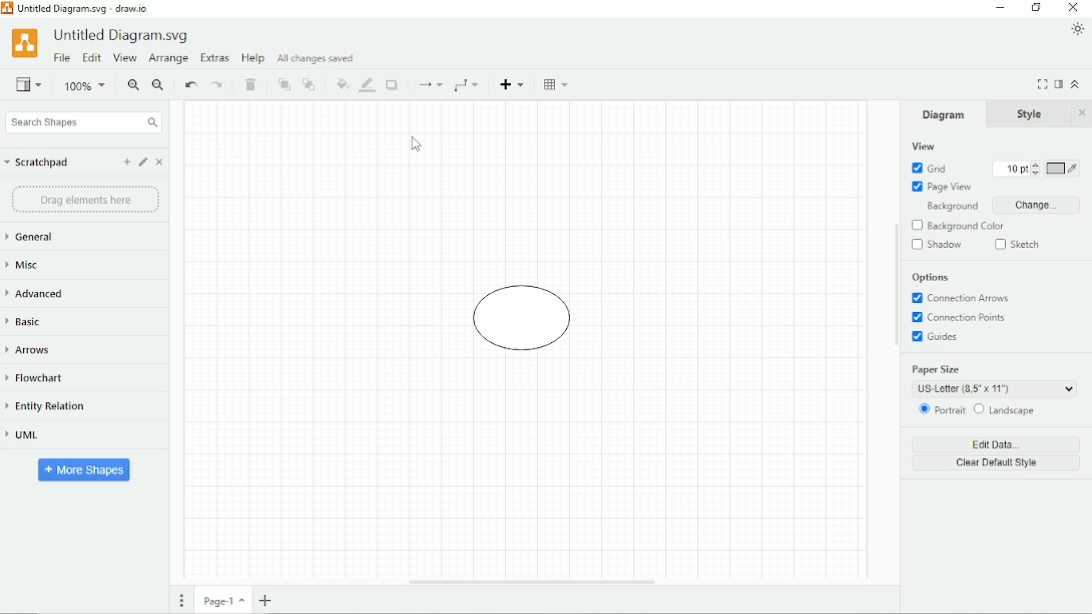  Describe the element at coordinates (24, 436) in the screenshot. I see `UML` at that location.